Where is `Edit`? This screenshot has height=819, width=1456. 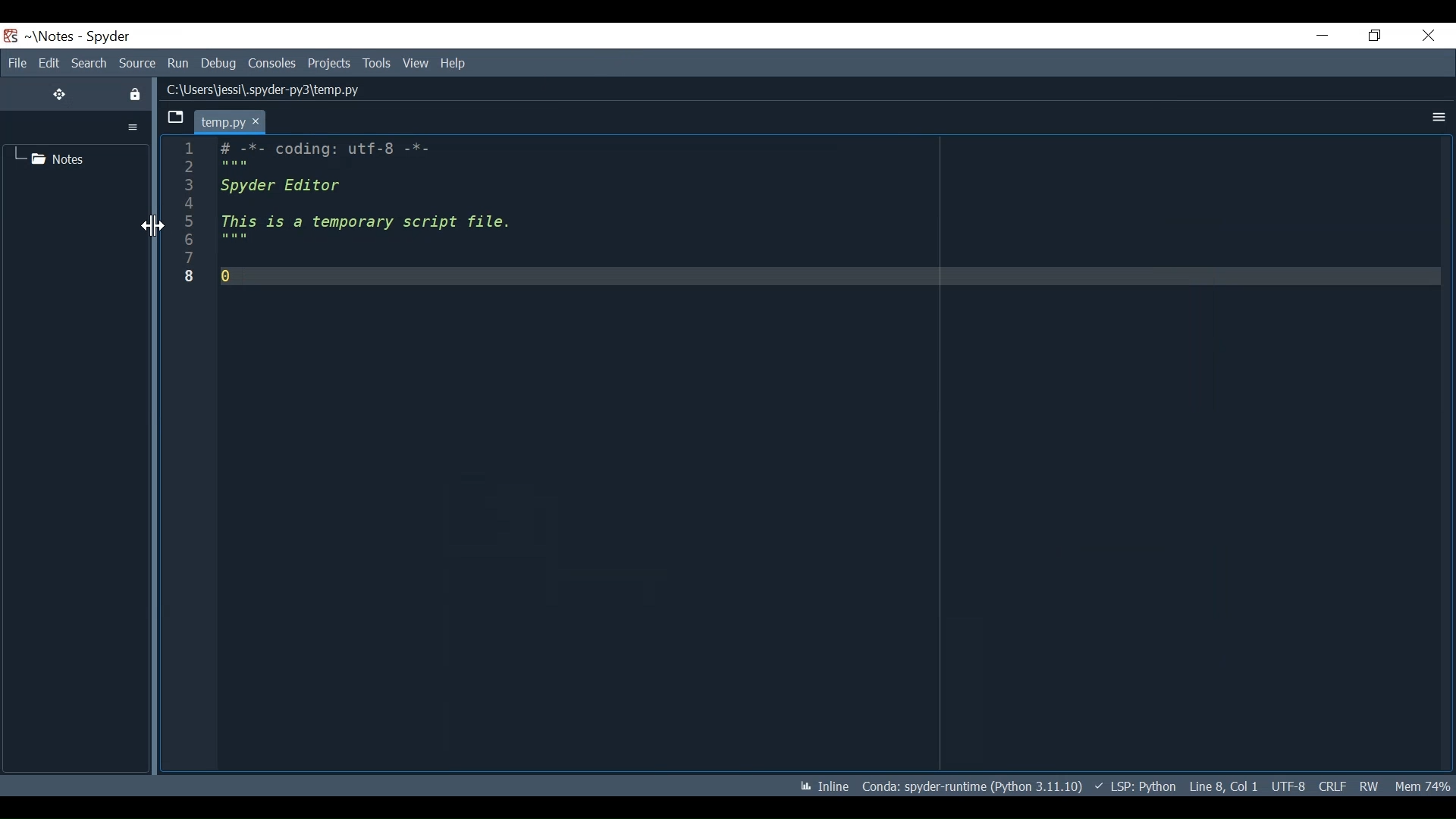 Edit is located at coordinates (47, 63).